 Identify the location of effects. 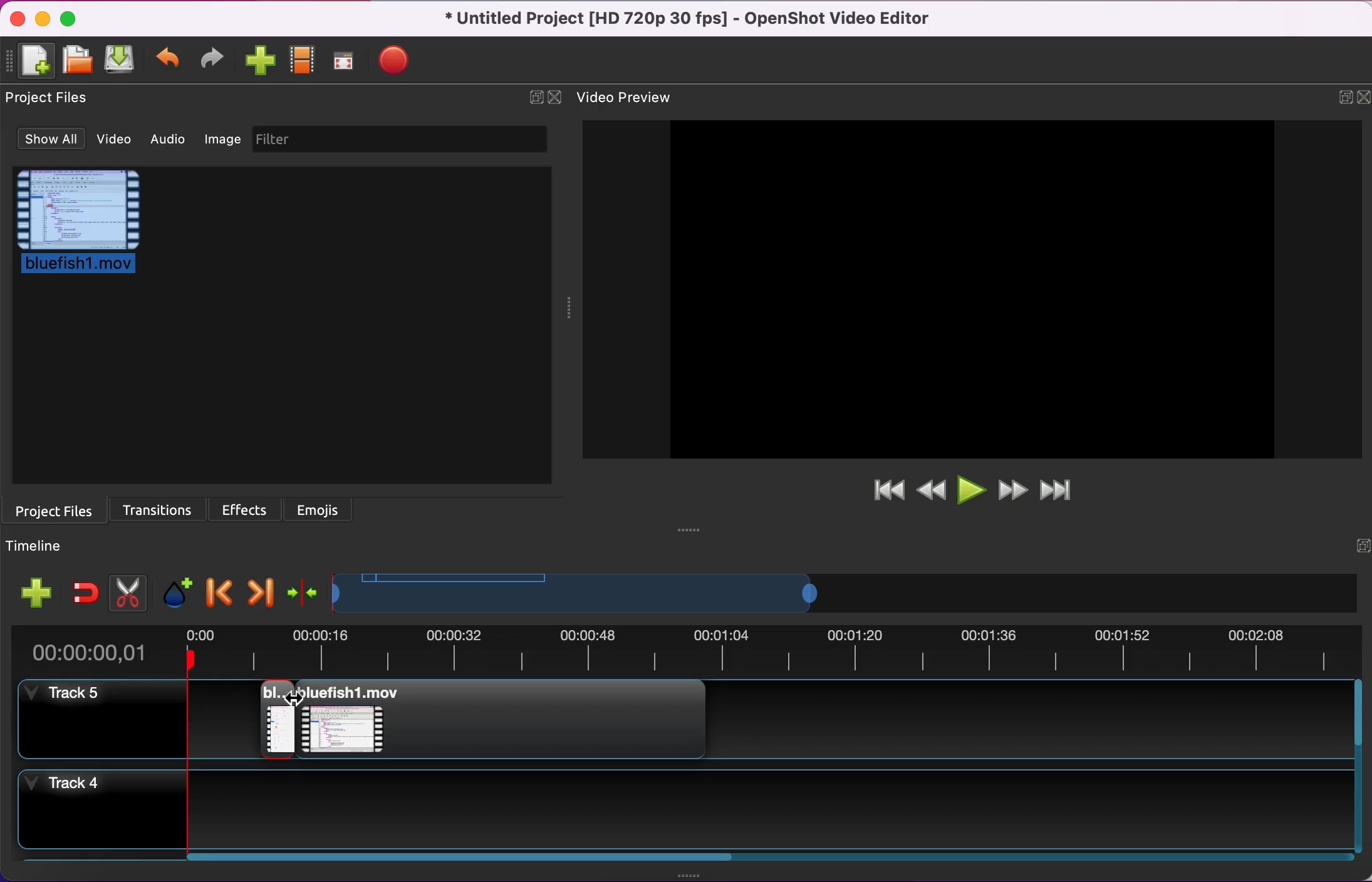
(247, 509).